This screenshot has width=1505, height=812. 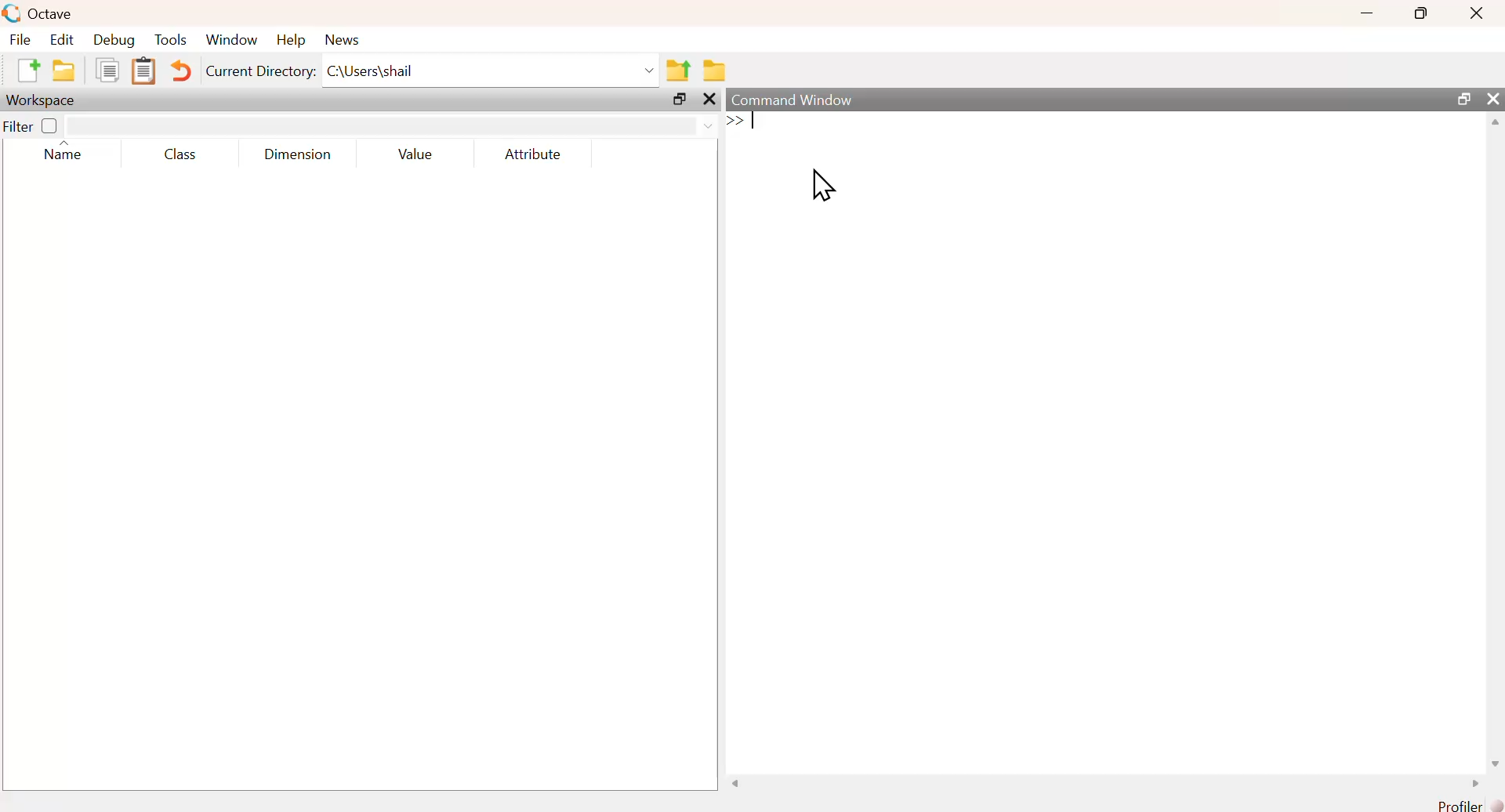 I want to click on scroll left, so click(x=738, y=782).